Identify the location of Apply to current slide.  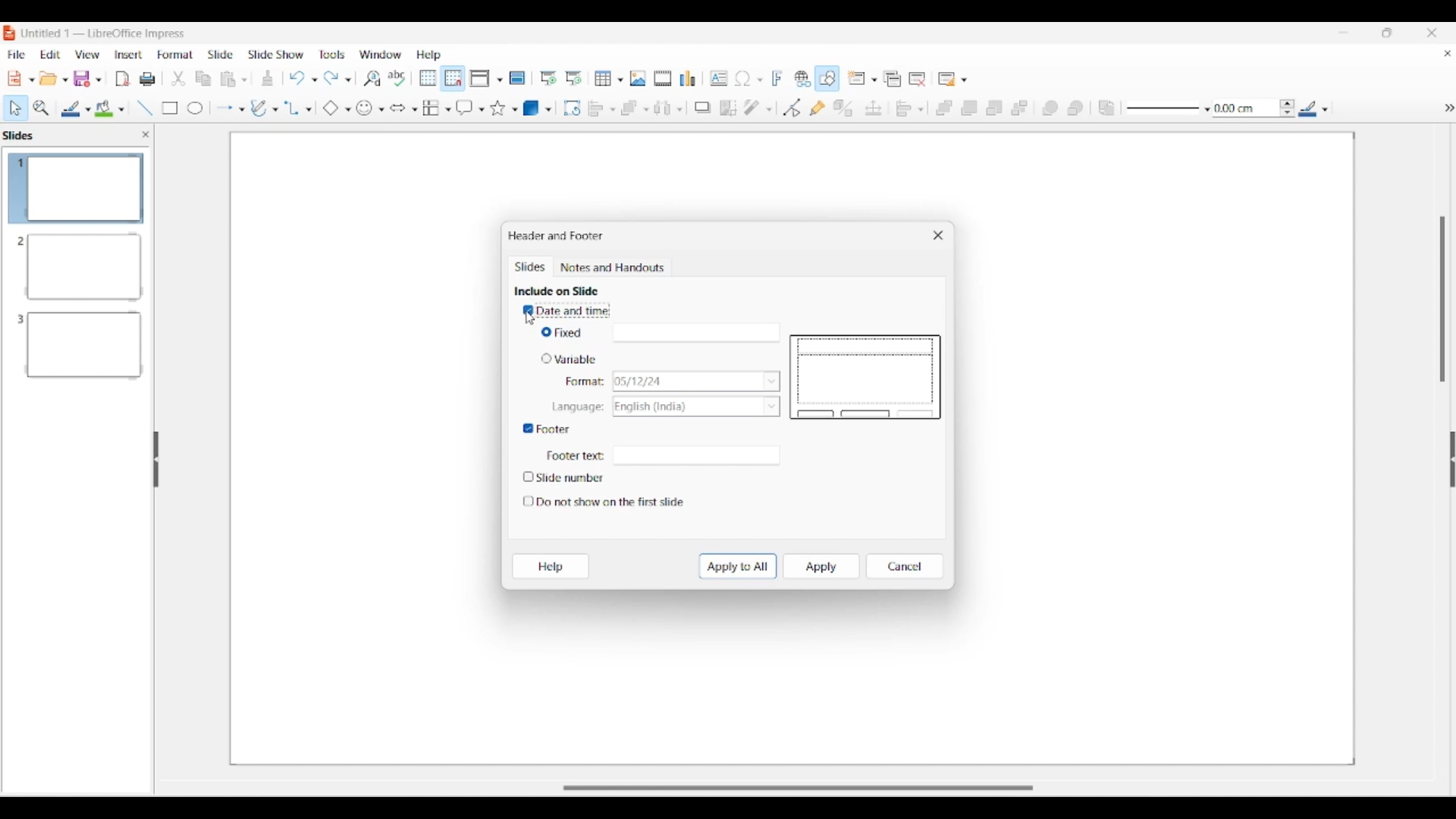
(822, 566).